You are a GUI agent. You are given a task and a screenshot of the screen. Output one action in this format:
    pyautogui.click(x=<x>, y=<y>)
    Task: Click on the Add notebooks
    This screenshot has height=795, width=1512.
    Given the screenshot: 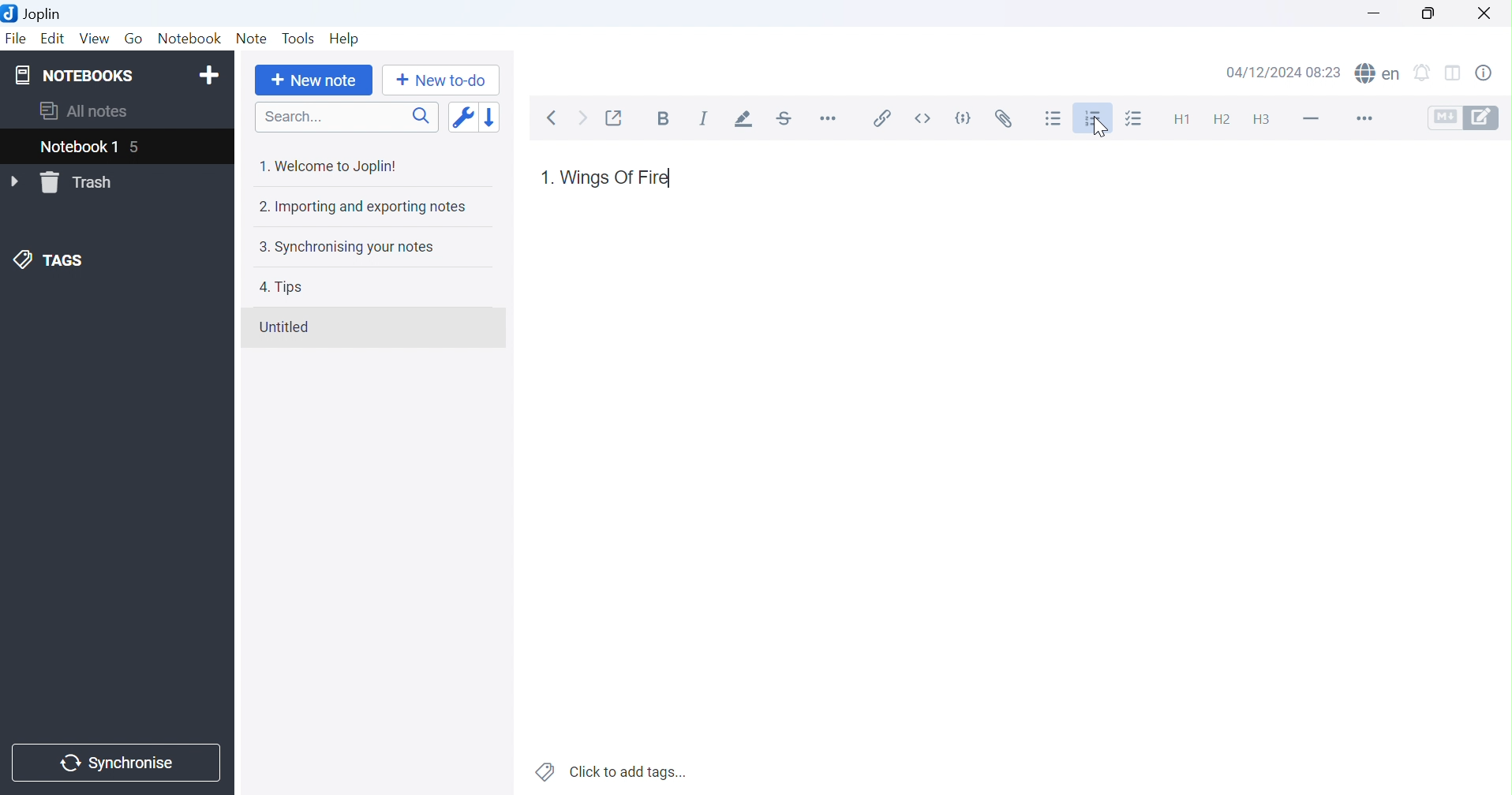 What is the action you would take?
    pyautogui.click(x=212, y=73)
    